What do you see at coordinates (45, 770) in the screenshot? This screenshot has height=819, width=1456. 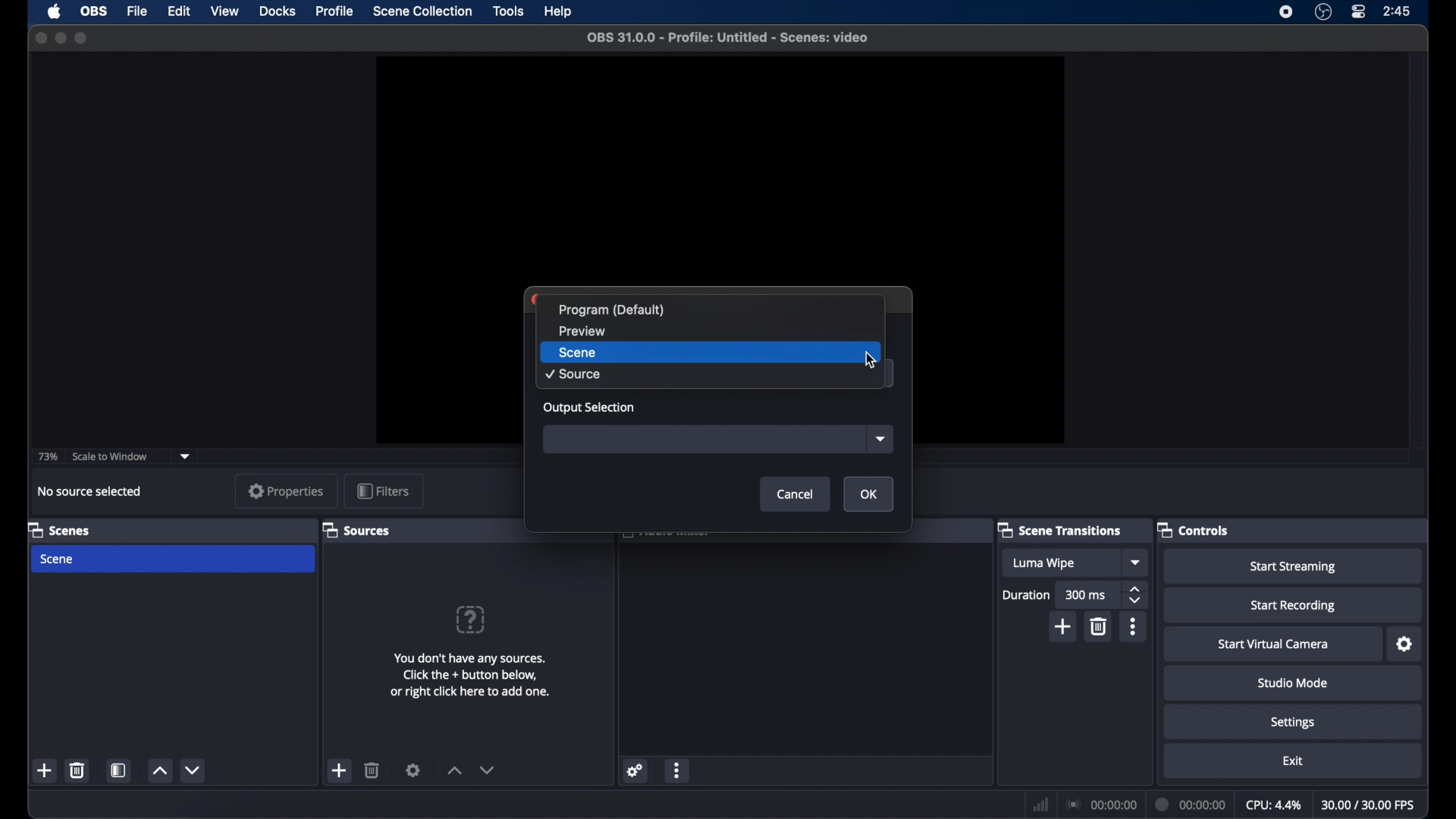 I see `add` at bounding box center [45, 770].